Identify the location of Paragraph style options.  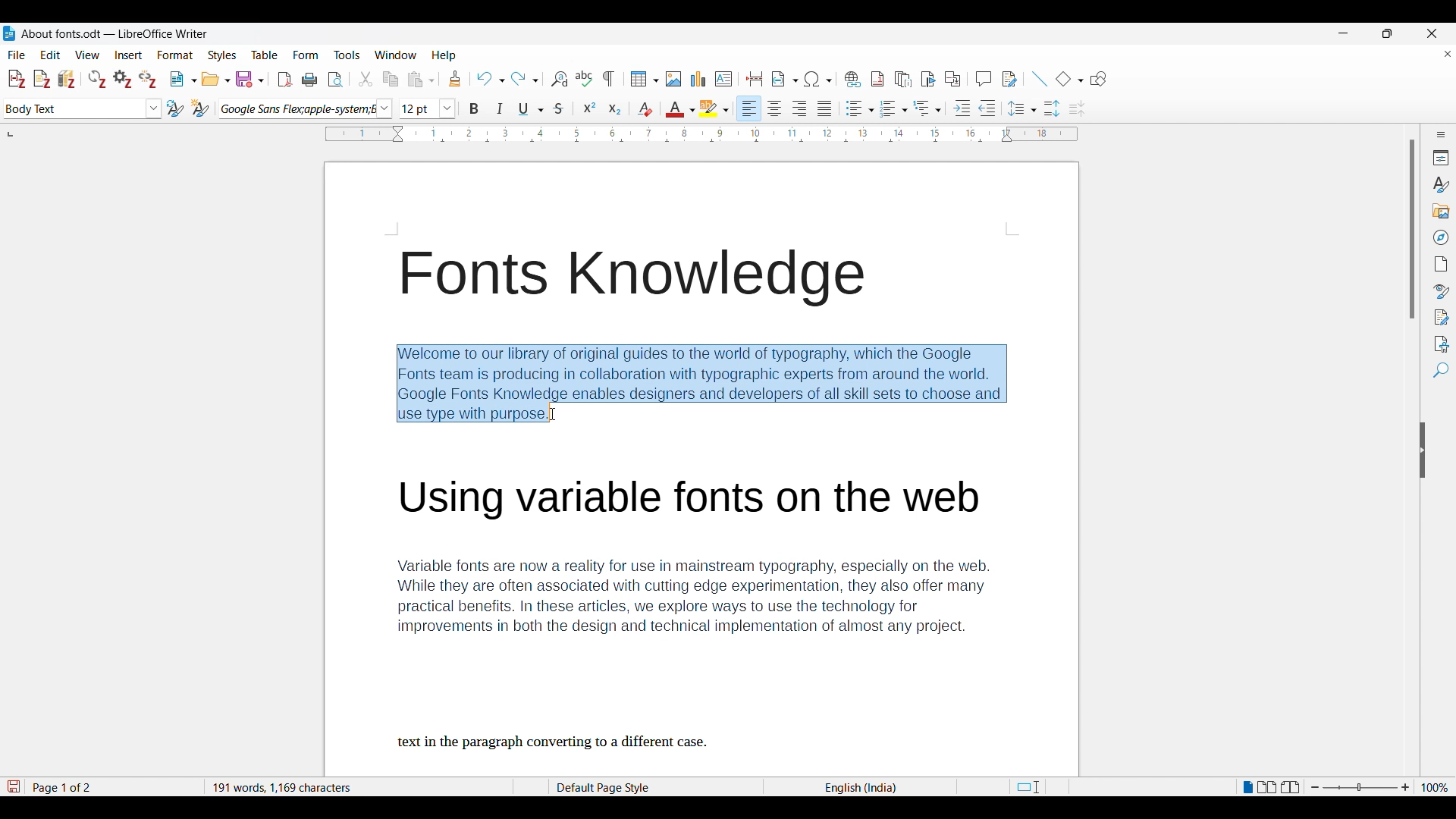
(83, 108).